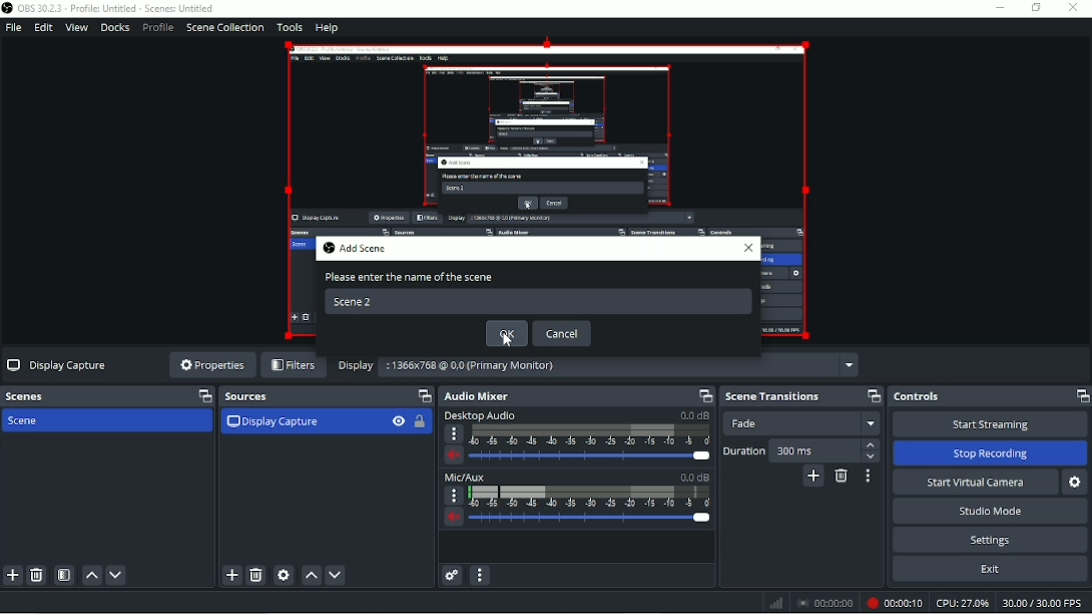 This screenshot has height=614, width=1092. Describe the element at coordinates (702, 395) in the screenshot. I see `Maximize` at that location.